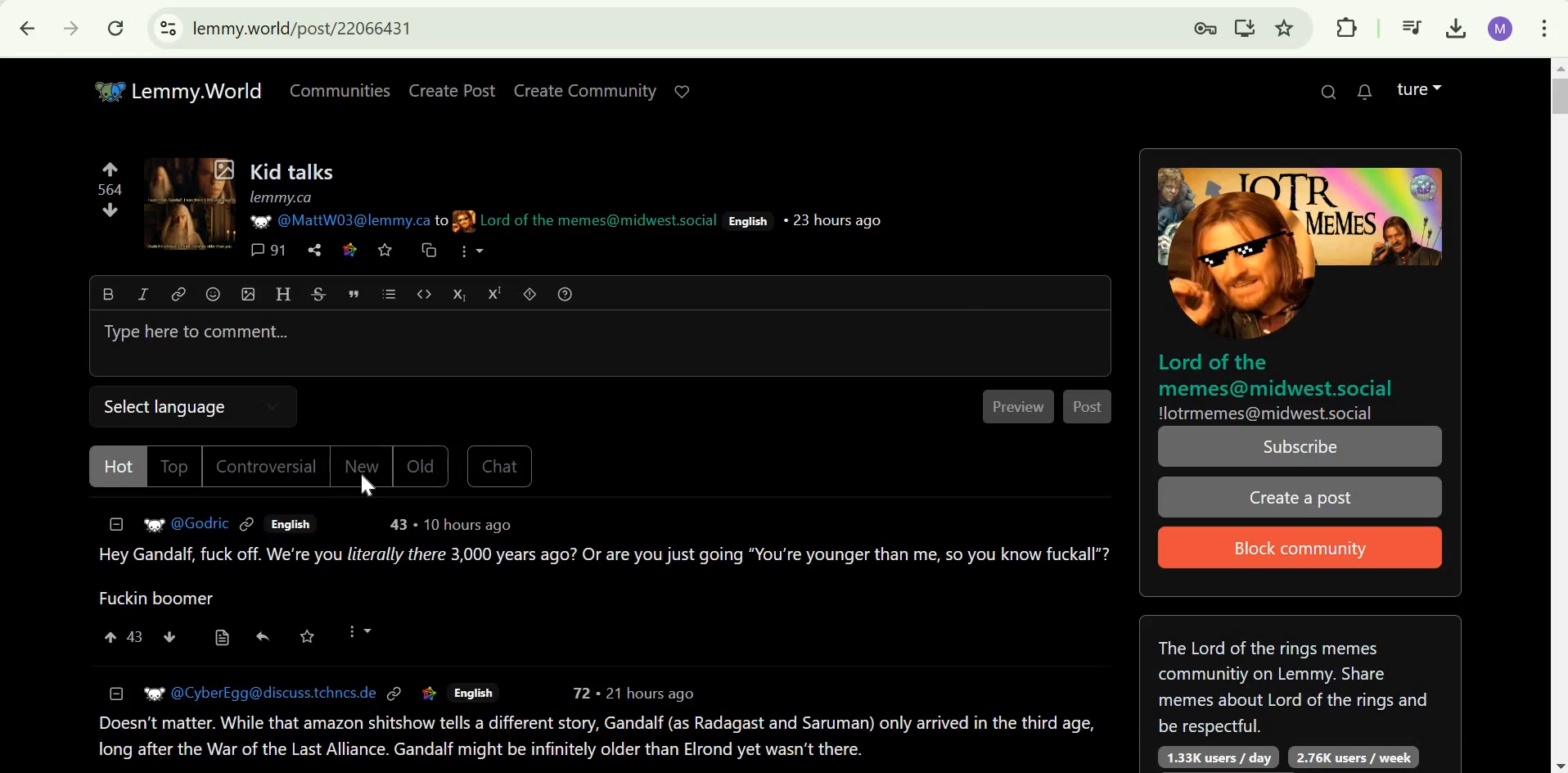  Describe the element at coordinates (359, 631) in the screenshot. I see `more` at that location.